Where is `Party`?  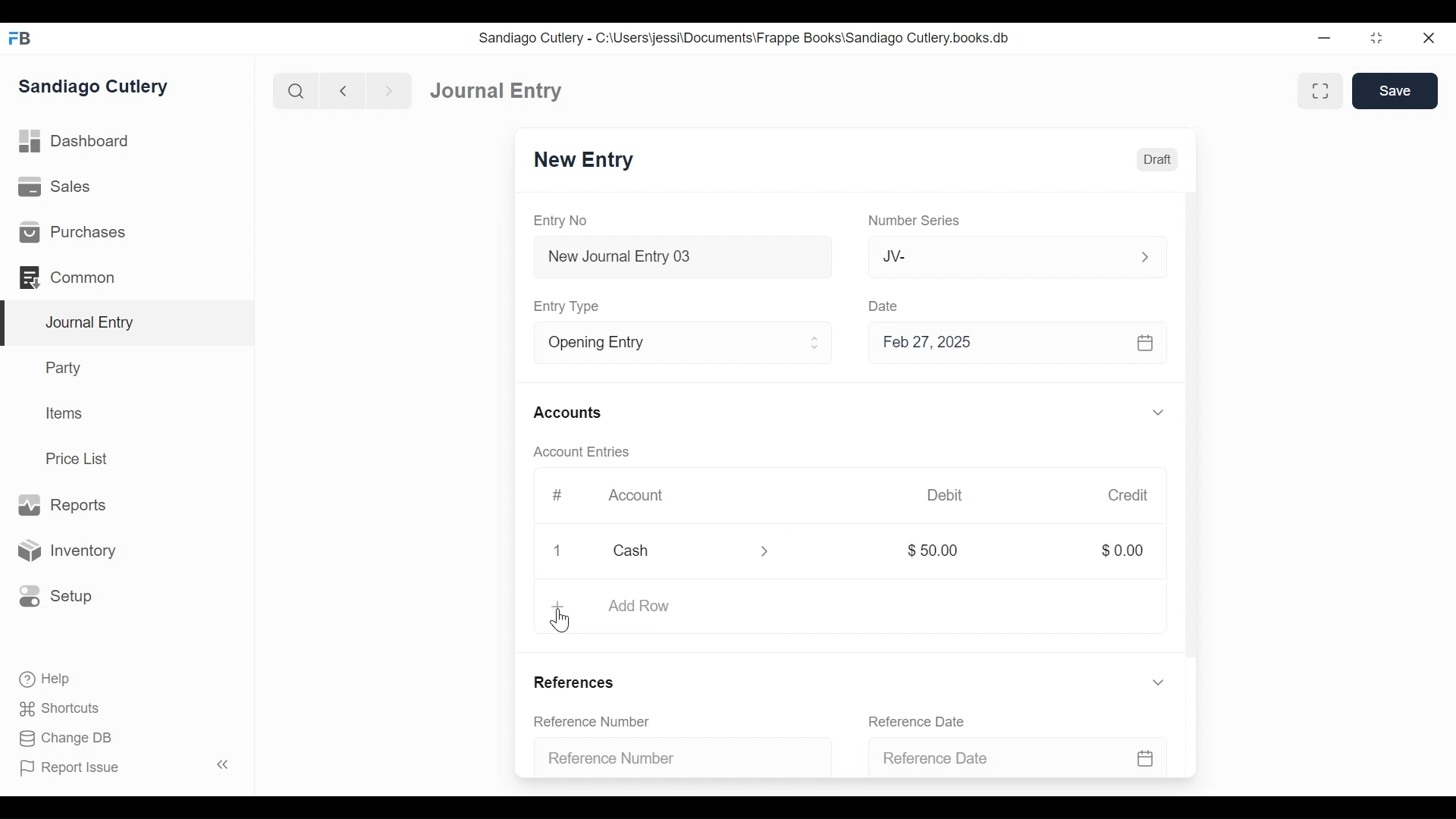
Party is located at coordinates (66, 367).